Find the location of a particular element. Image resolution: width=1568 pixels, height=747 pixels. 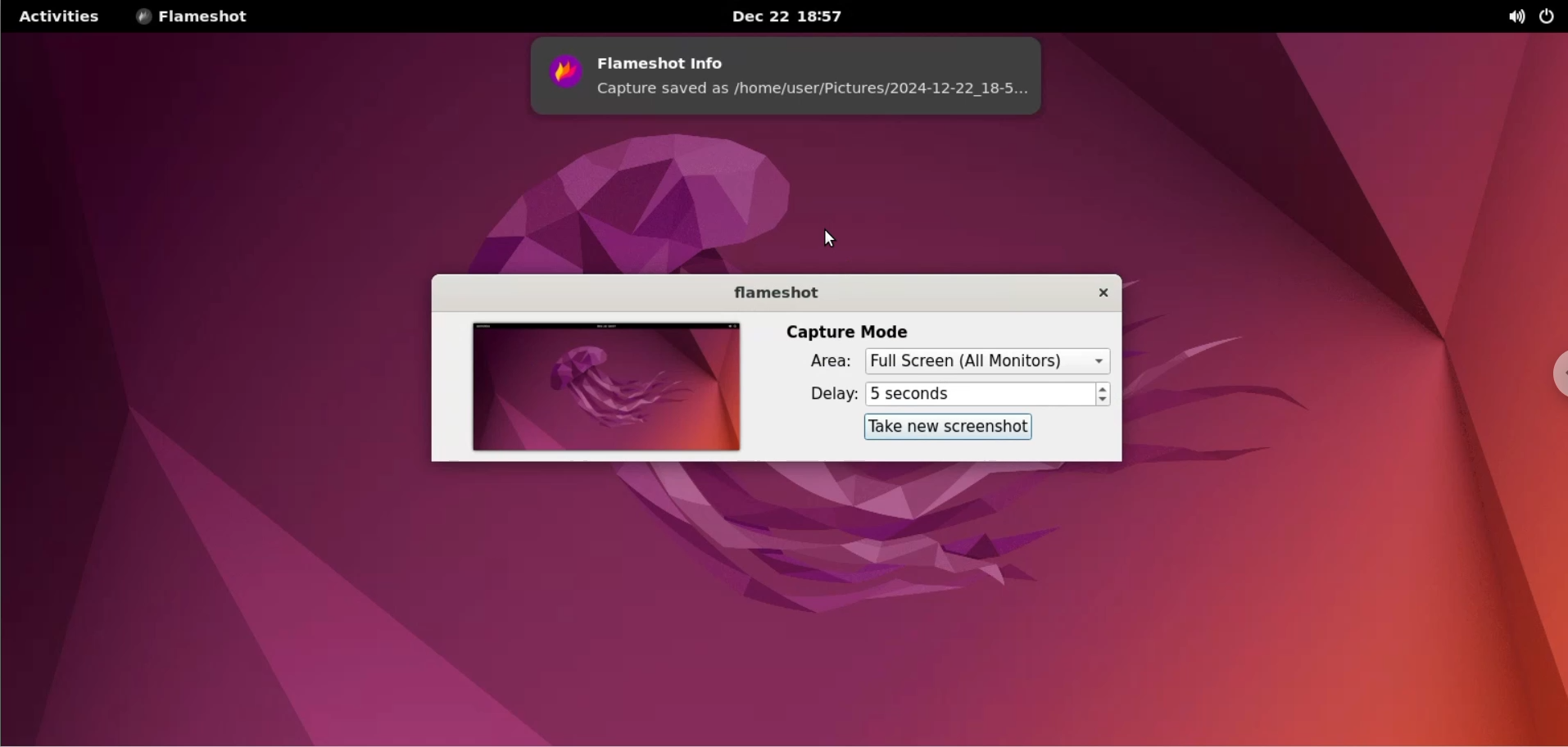

Date and time is located at coordinates (791, 17).